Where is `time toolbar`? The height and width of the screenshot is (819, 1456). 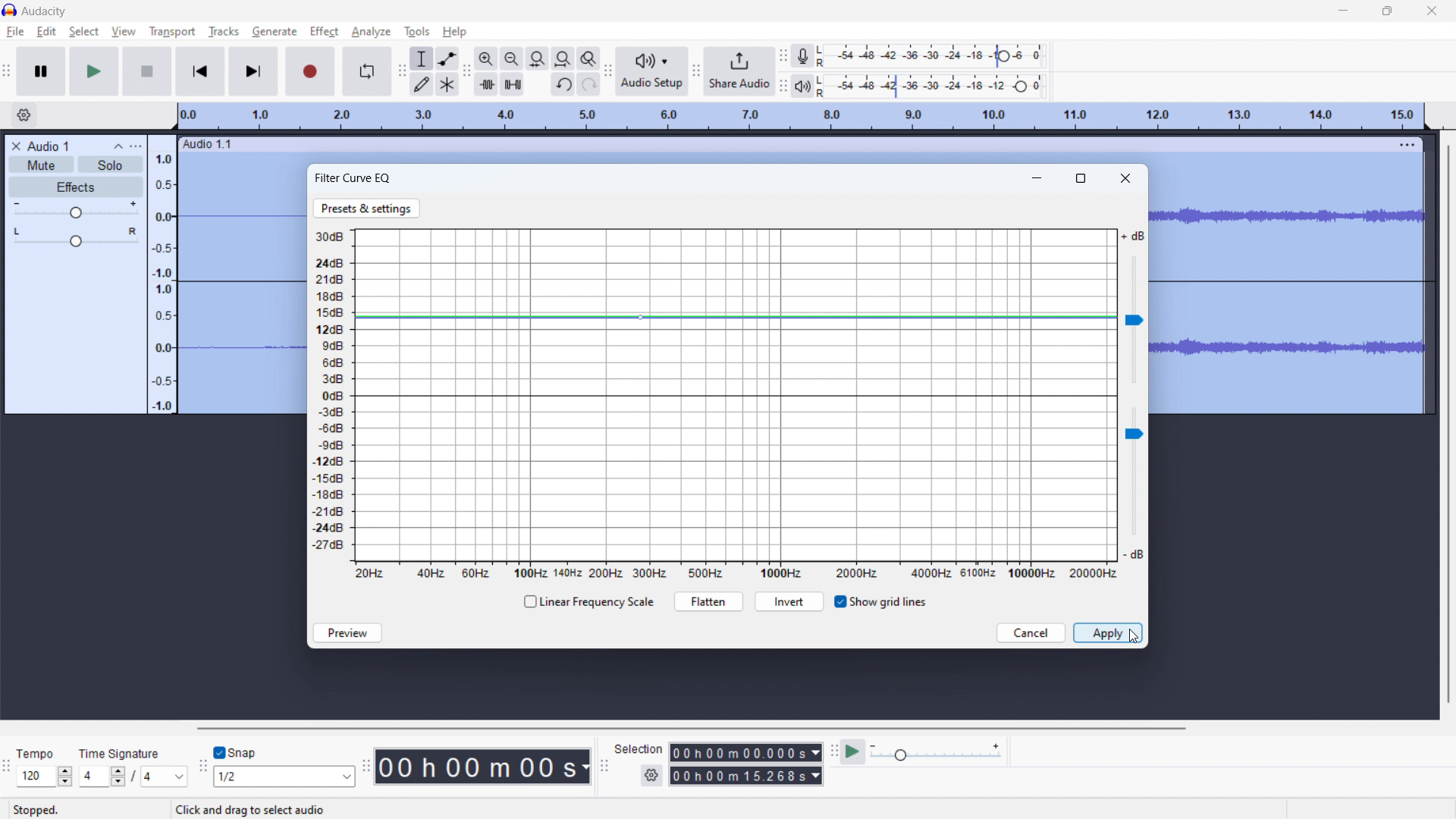 time toolbar is located at coordinates (369, 773).